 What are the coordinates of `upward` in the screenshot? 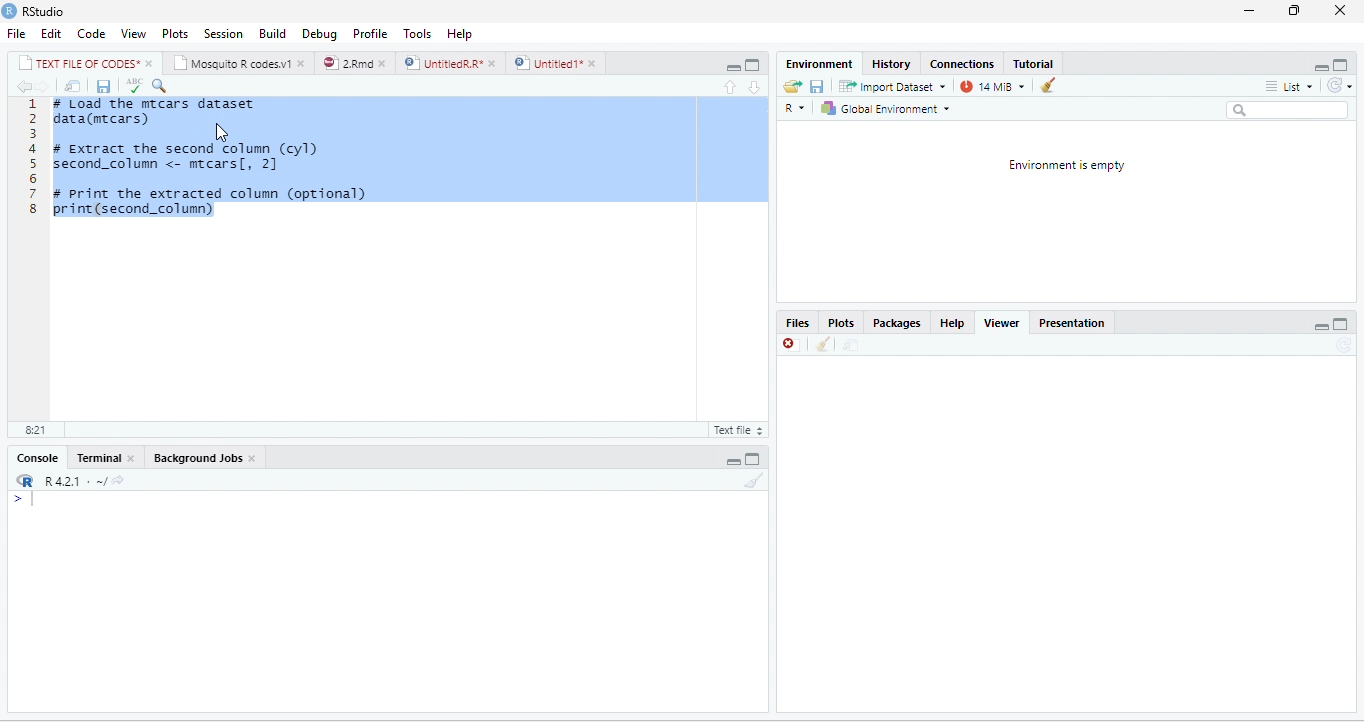 It's located at (737, 87).